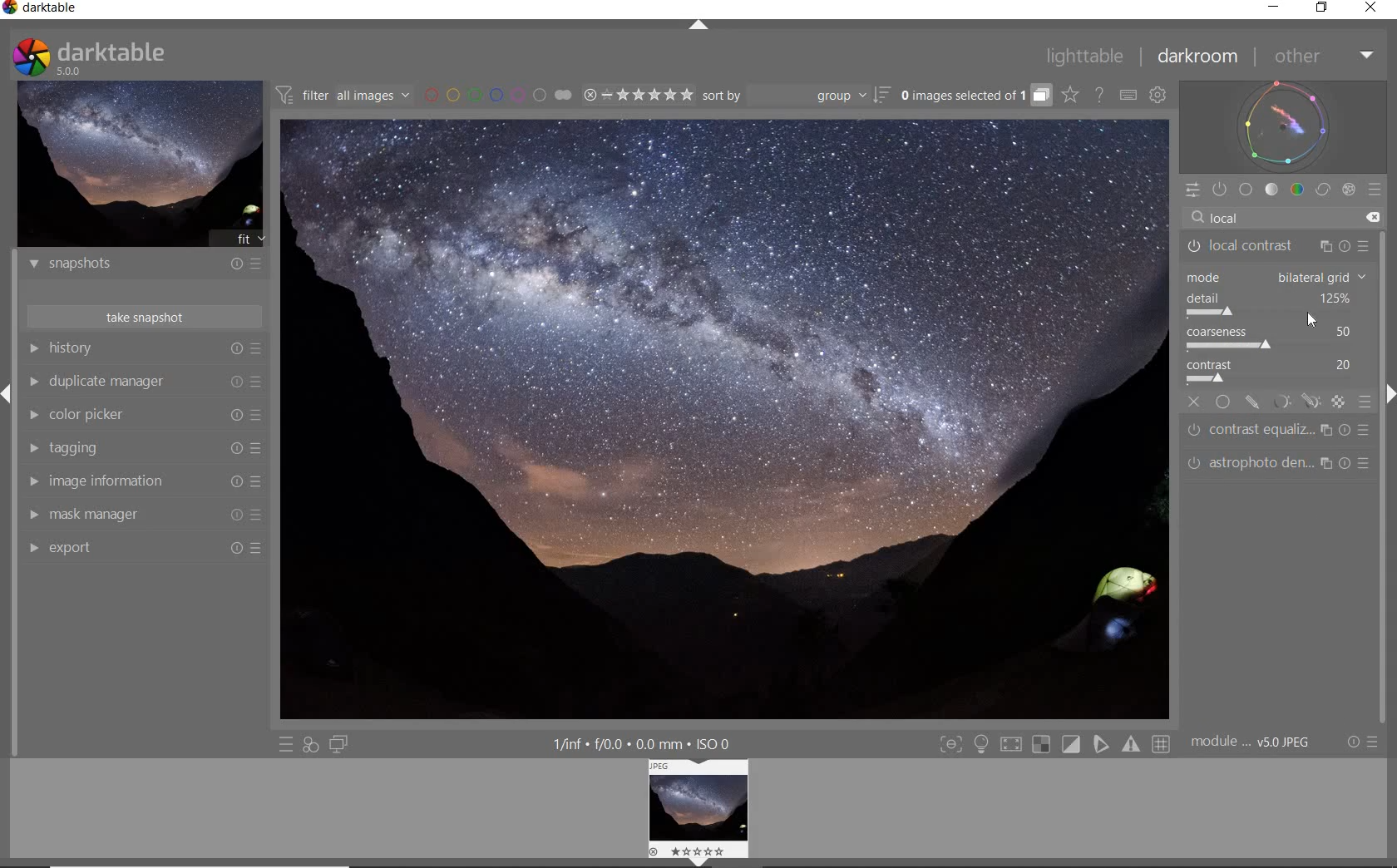 The image size is (1397, 868). What do you see at coordinates (1195, 402) in the screenshot?
I see `off` at bounding box center [1195, 402].